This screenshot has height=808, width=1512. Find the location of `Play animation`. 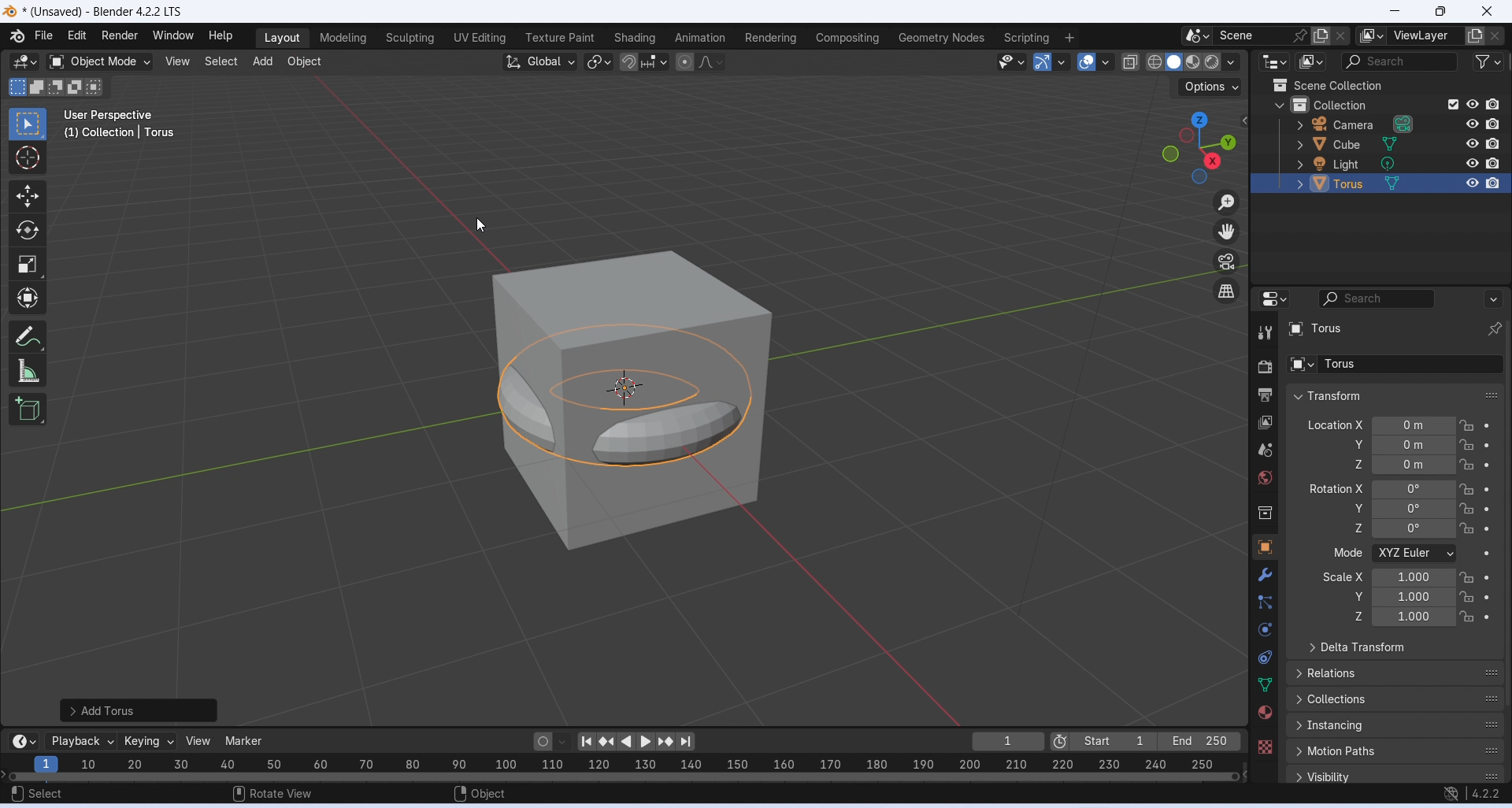

Play animation is located at coordinates (645, 743).